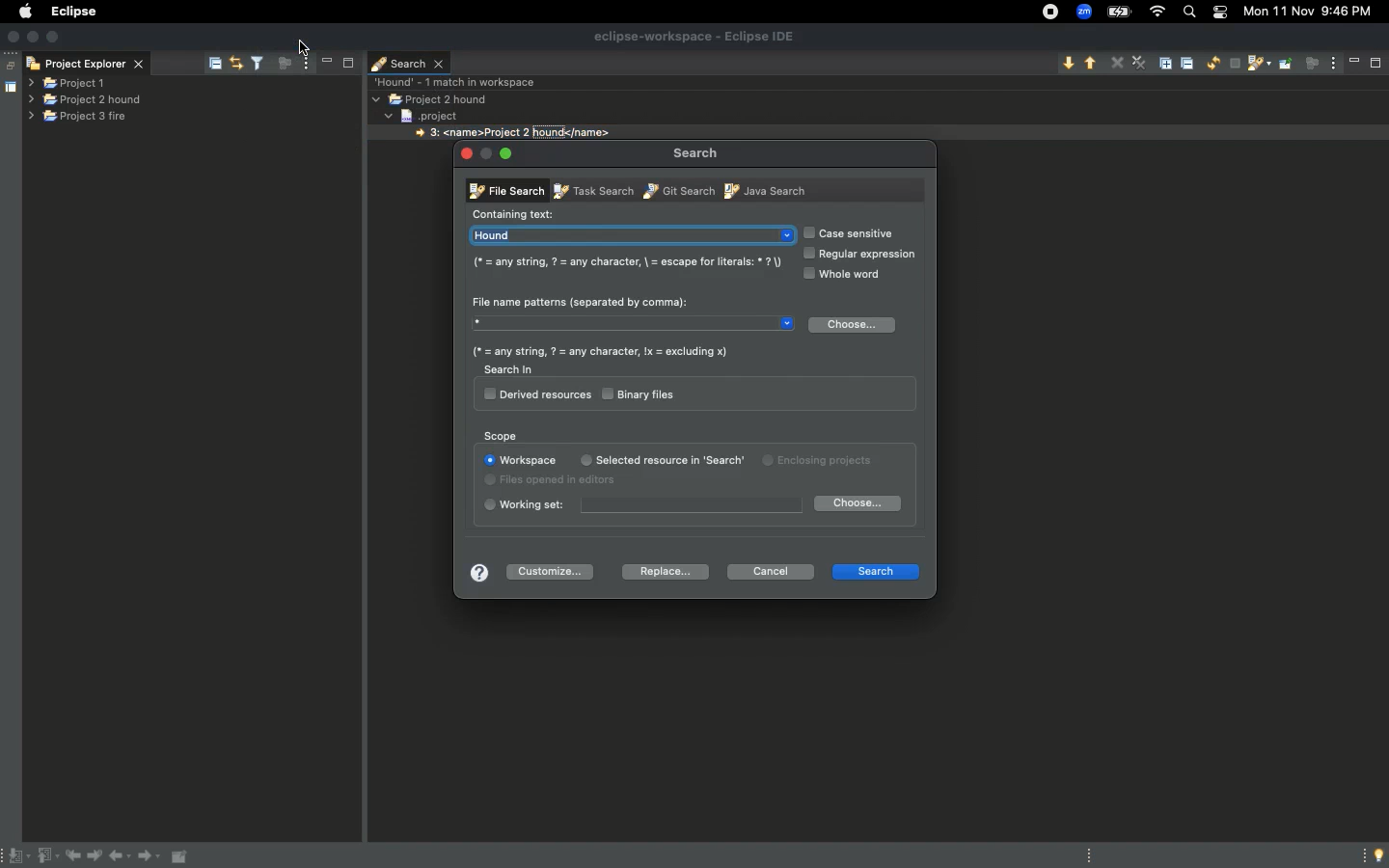 This screenshot has height=868, width=1389. I want to click on Choose, so click(854, 326).